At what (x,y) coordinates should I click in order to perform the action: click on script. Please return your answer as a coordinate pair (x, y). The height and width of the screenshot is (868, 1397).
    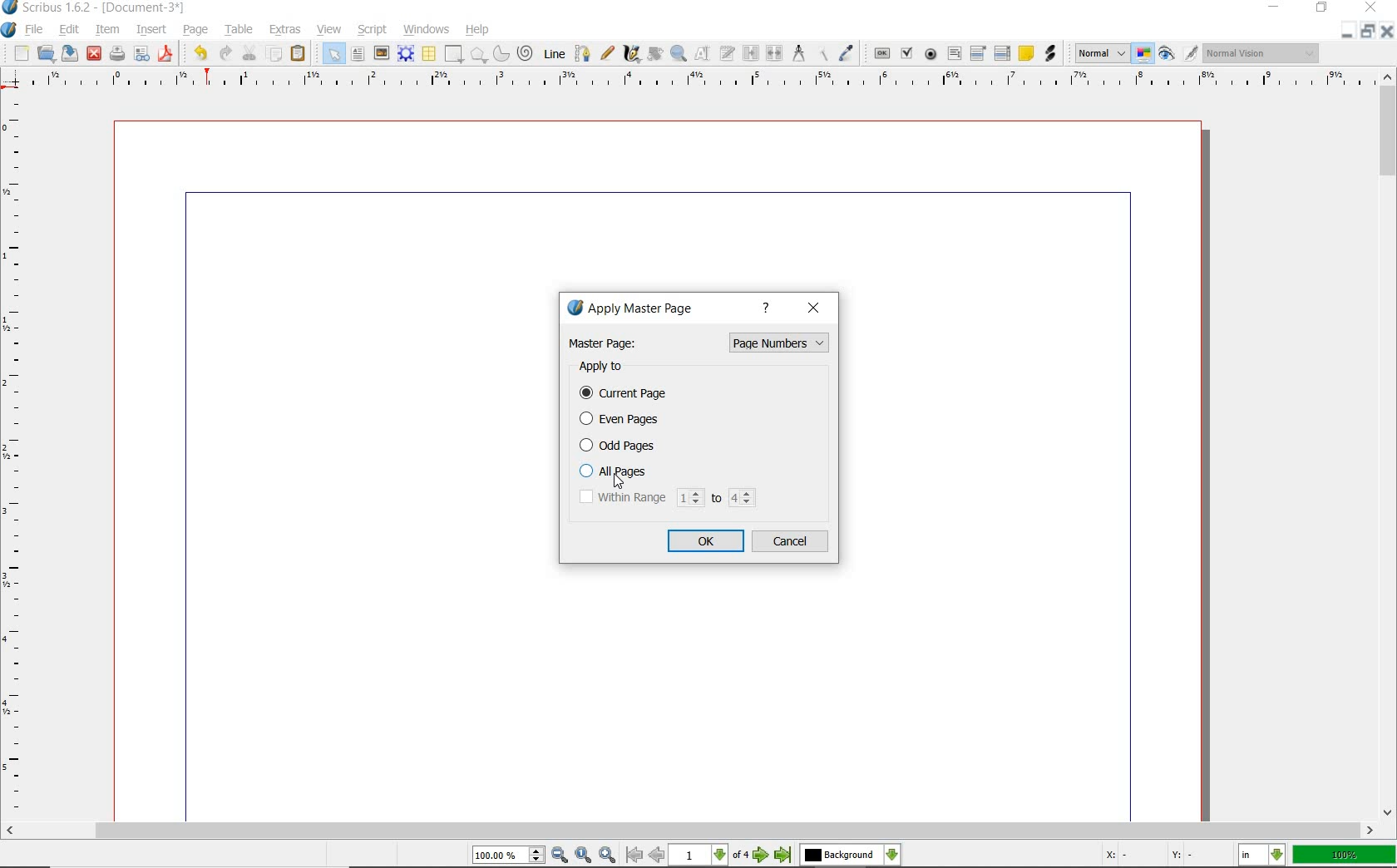
    Looking at the image, I should click on (373, 31).